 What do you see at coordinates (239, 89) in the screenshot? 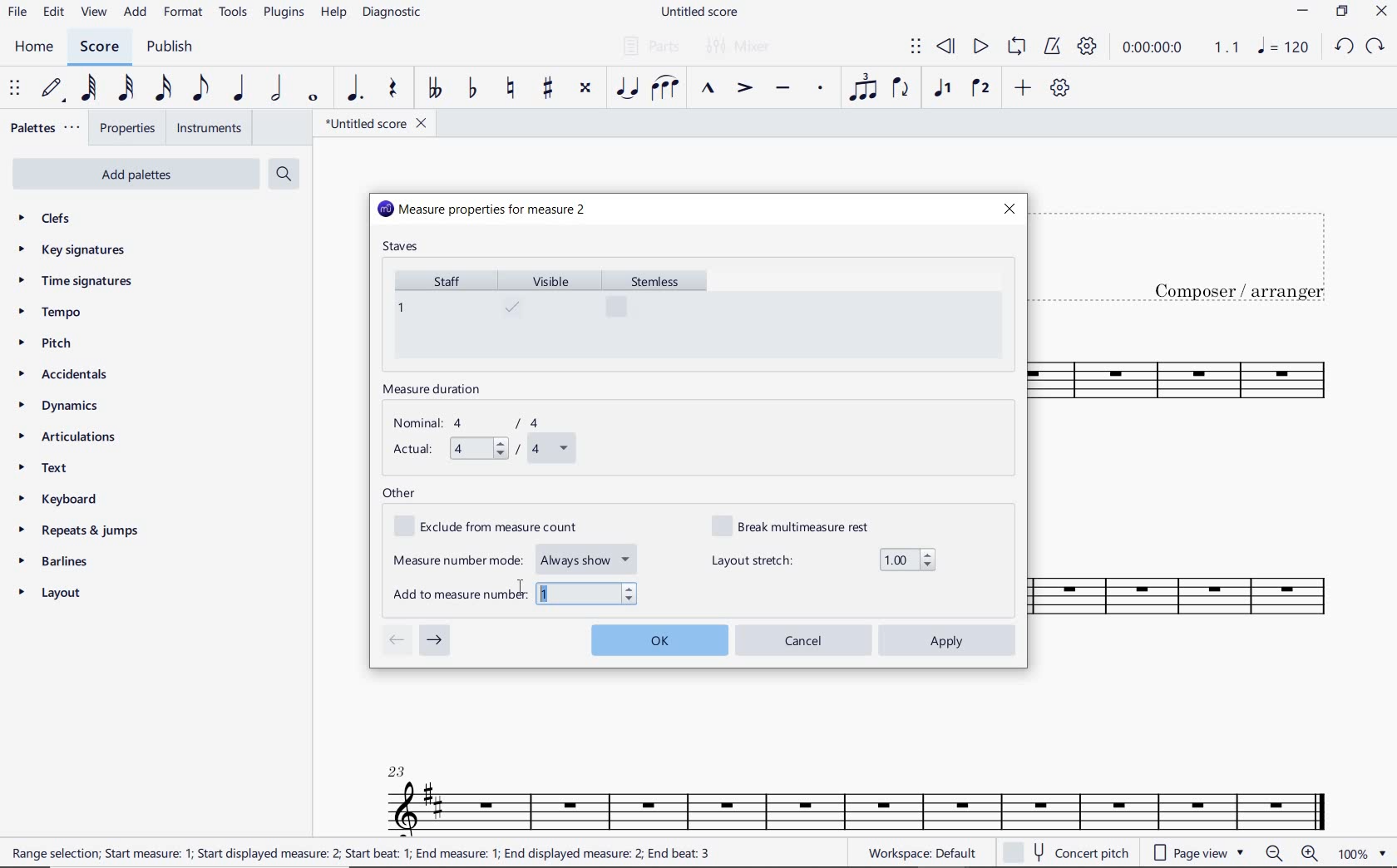
I see `QUARTER NOTE` at bounding box center [239, 89].